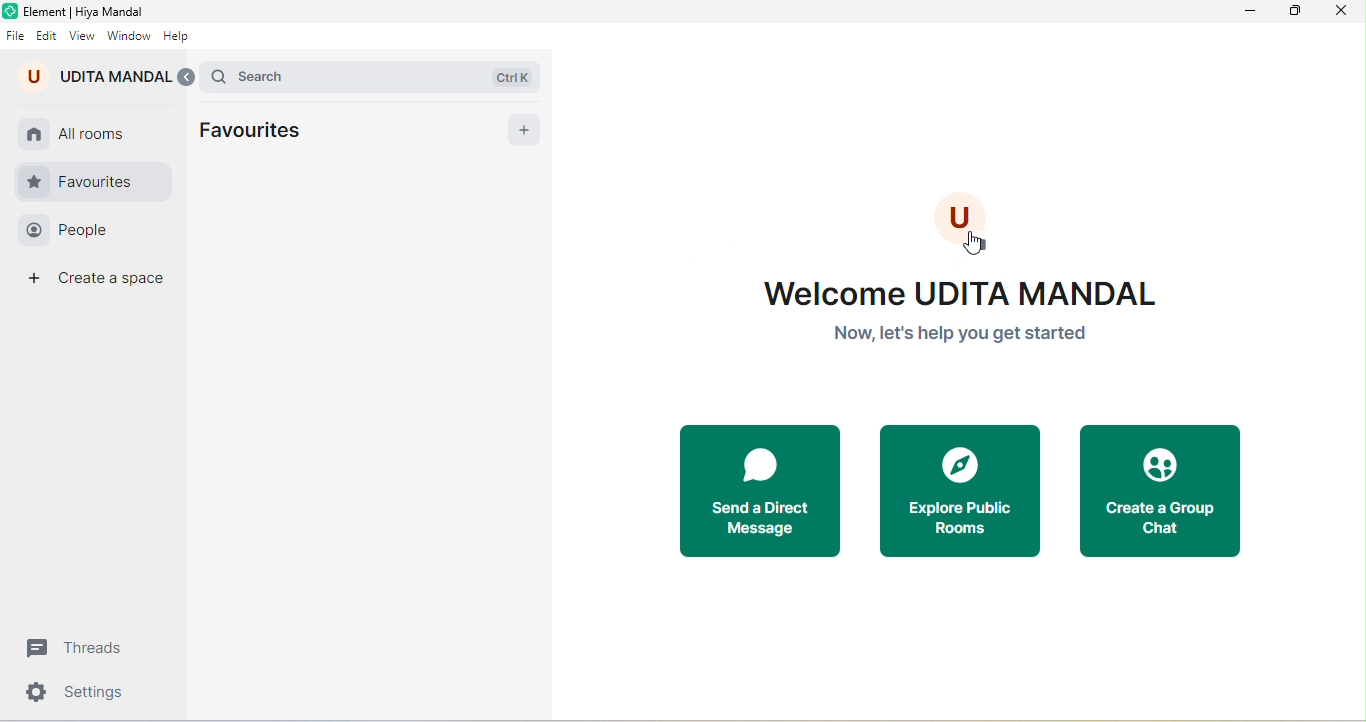 The height and width of the screenshot is (722, 1366). Describe the element at coordinates (15, 36) in the screenshot. I see `file` at that location.